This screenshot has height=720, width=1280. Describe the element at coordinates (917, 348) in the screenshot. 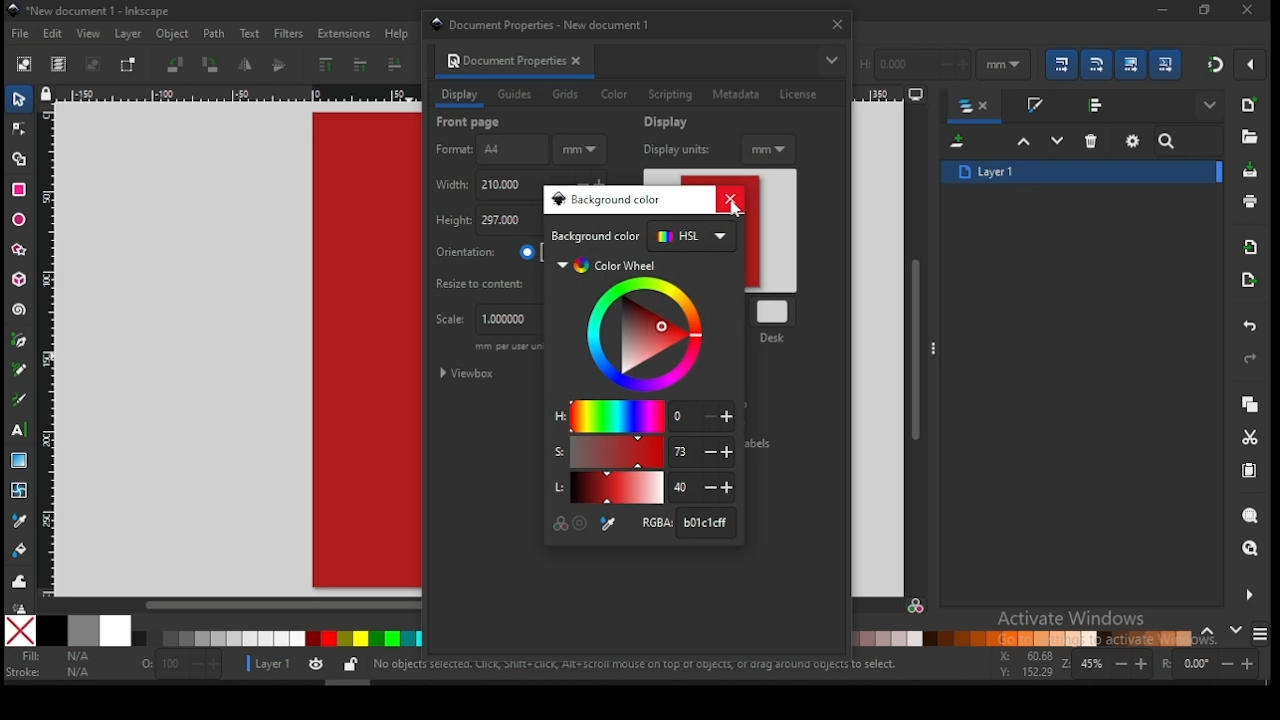

I see `scroll bar` at that location.